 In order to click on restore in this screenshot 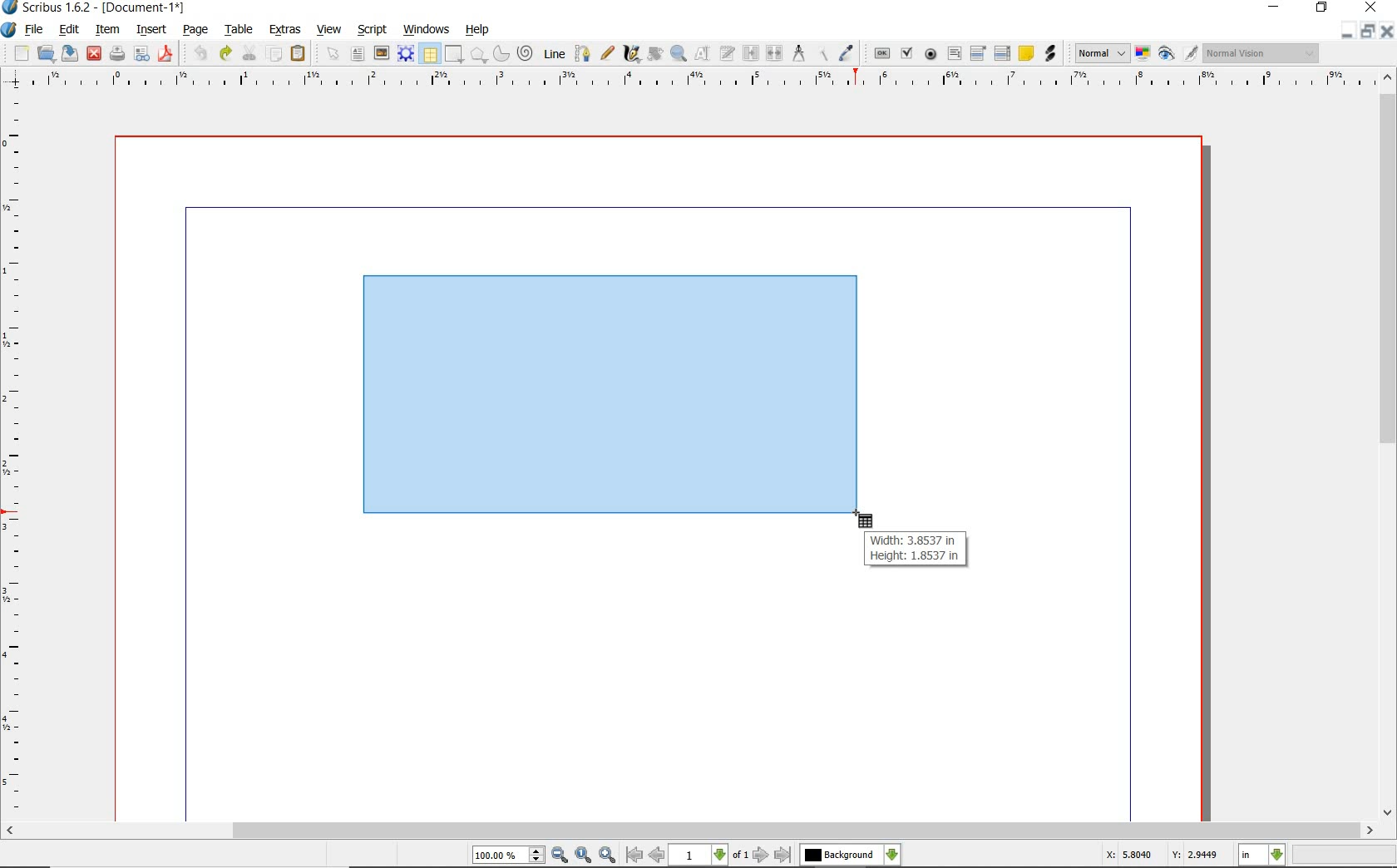, I will do `click(1366, 32)`.